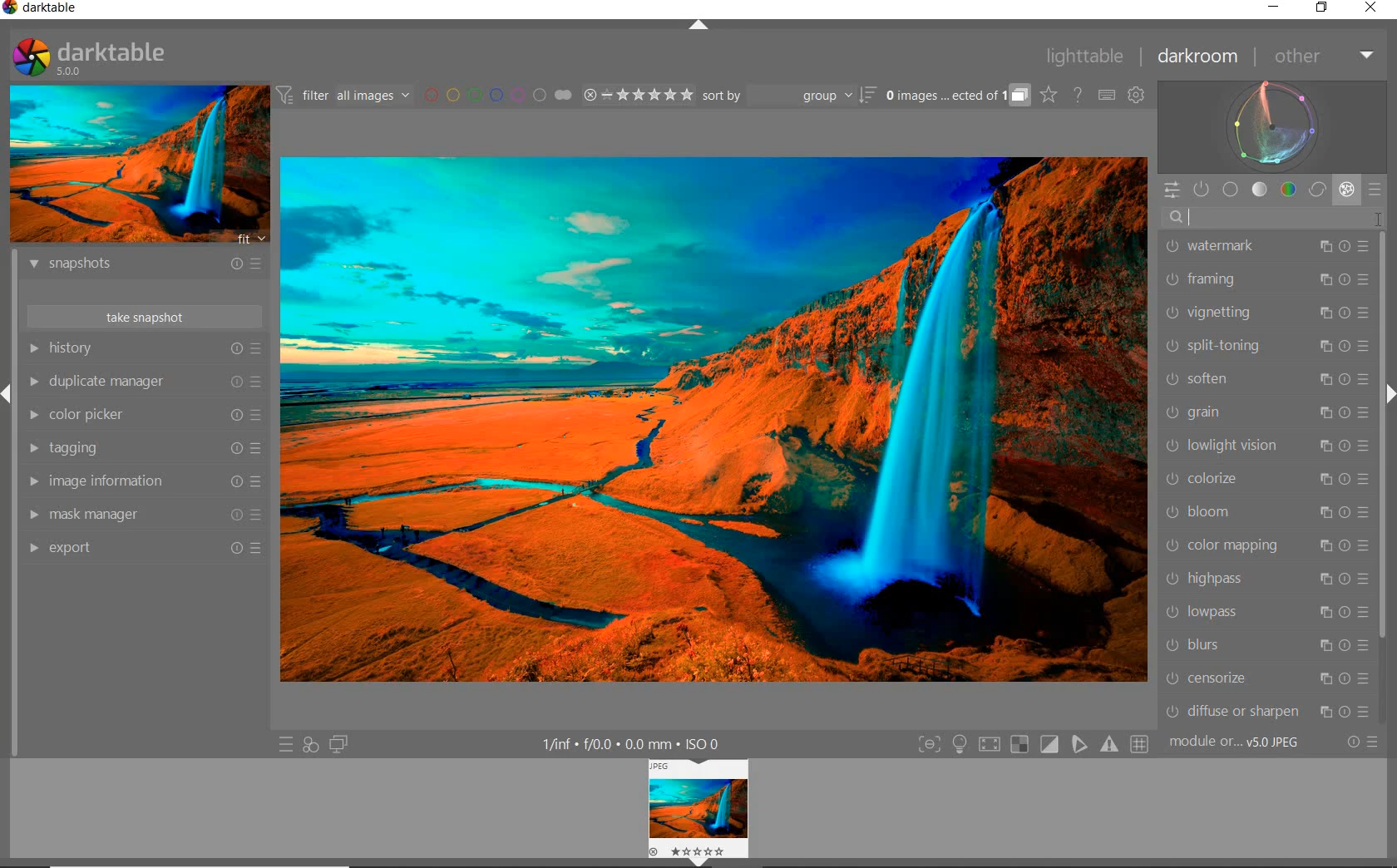 Image resolution: width=1397 pixels, height=868 pixels. I want to click on SEARCH MODULE BY NAME, so click(1271, 219).